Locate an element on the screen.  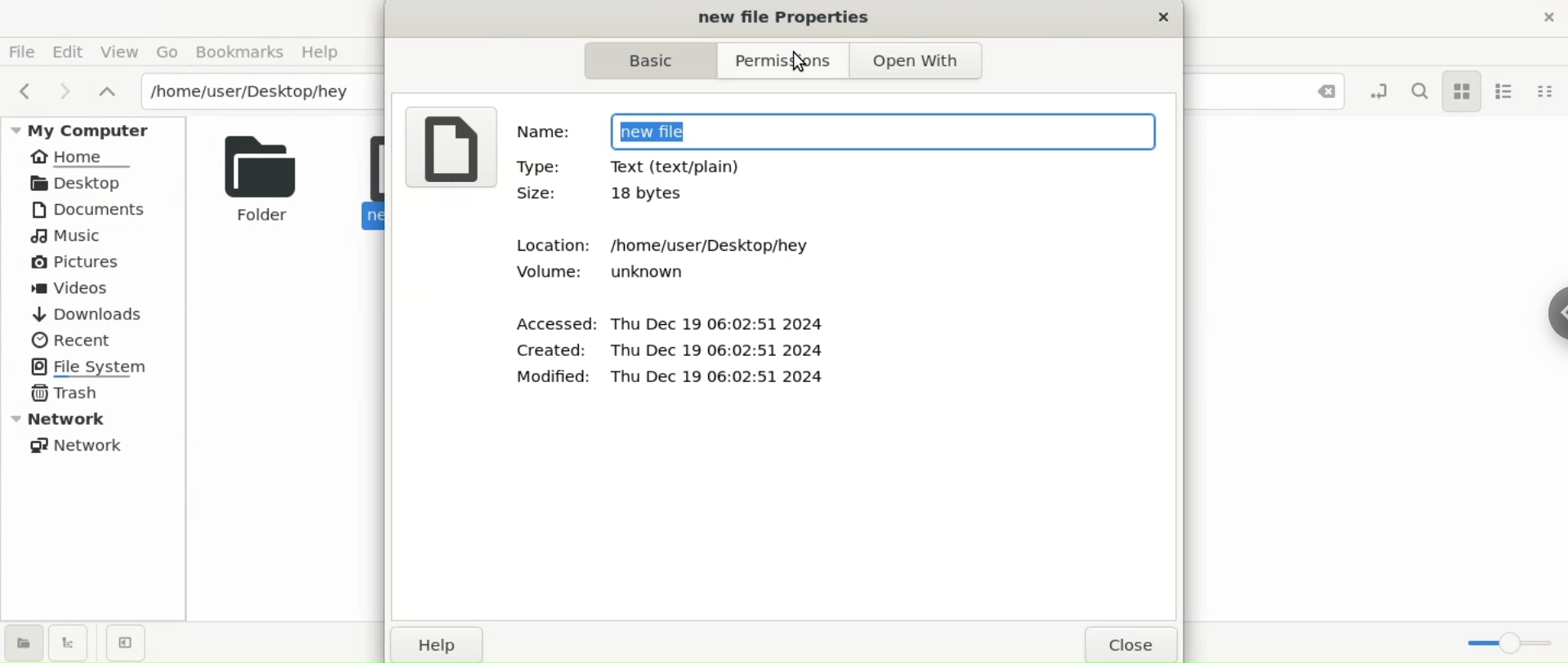
cursor is located at coordinates (800, 60).